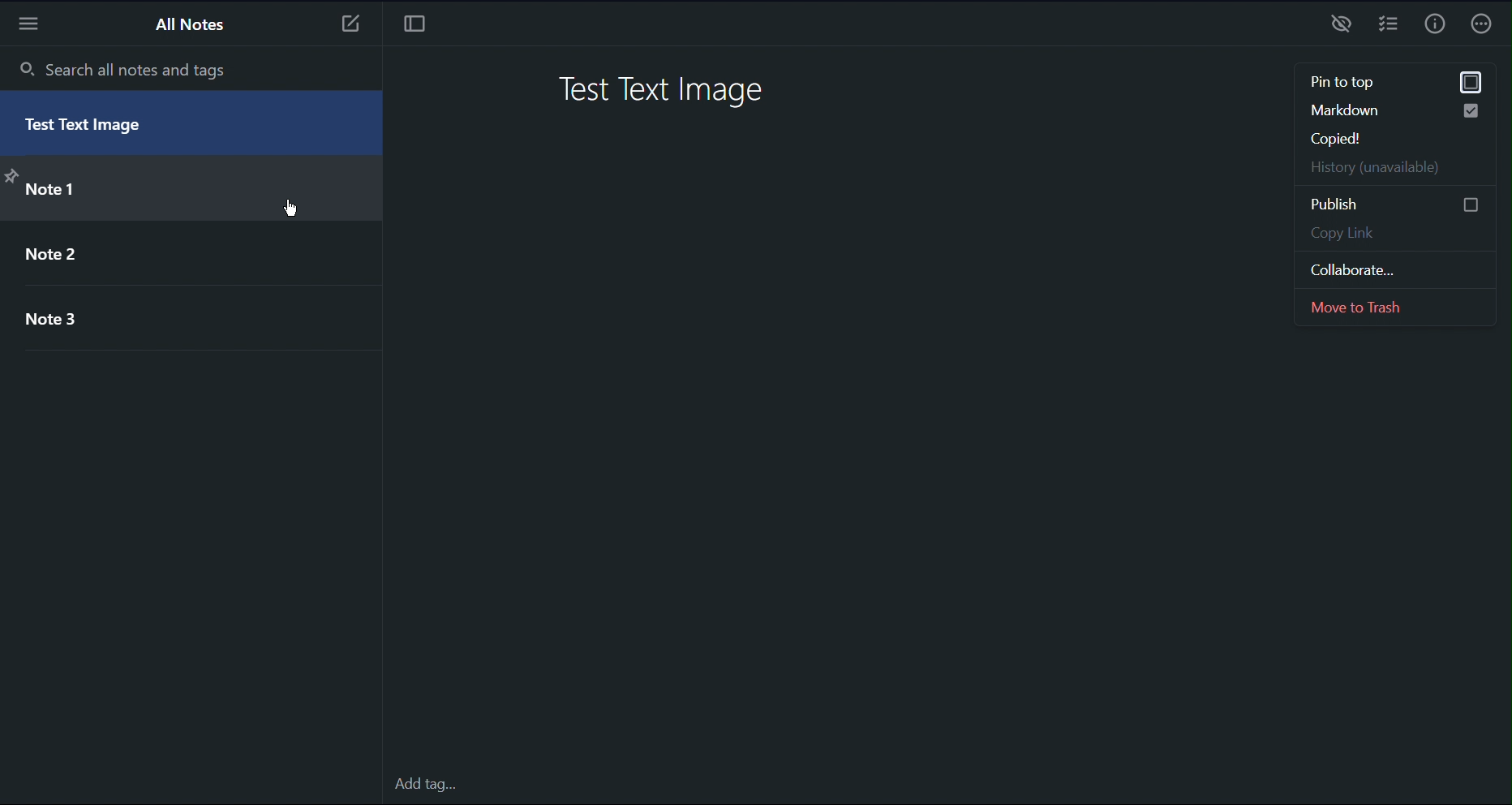  Describe the element at coordinates (415, 28) in the screenshot. I see `Focus Mode` at that location.